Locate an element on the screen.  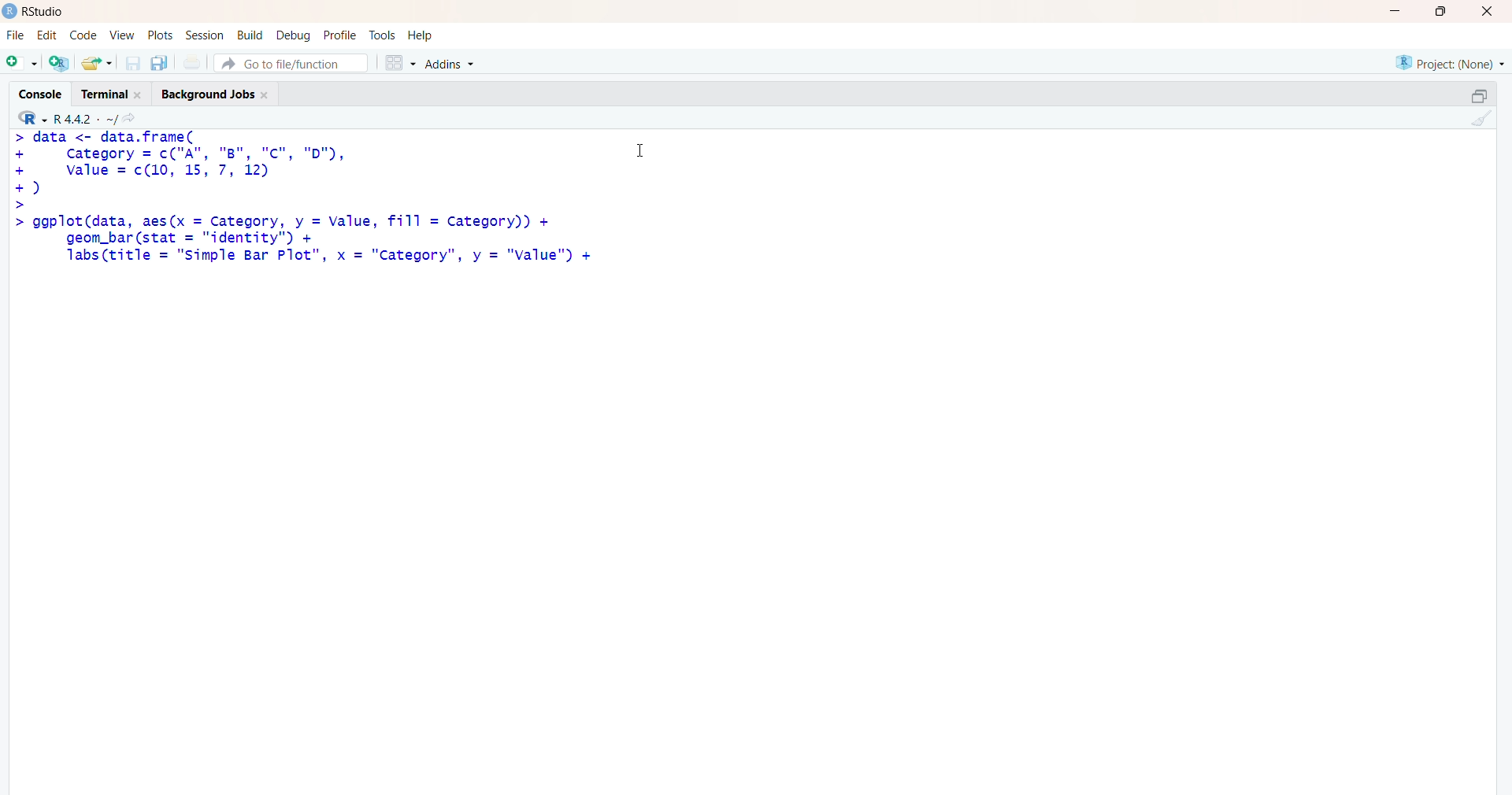
help is located at coordinates (423, 35).